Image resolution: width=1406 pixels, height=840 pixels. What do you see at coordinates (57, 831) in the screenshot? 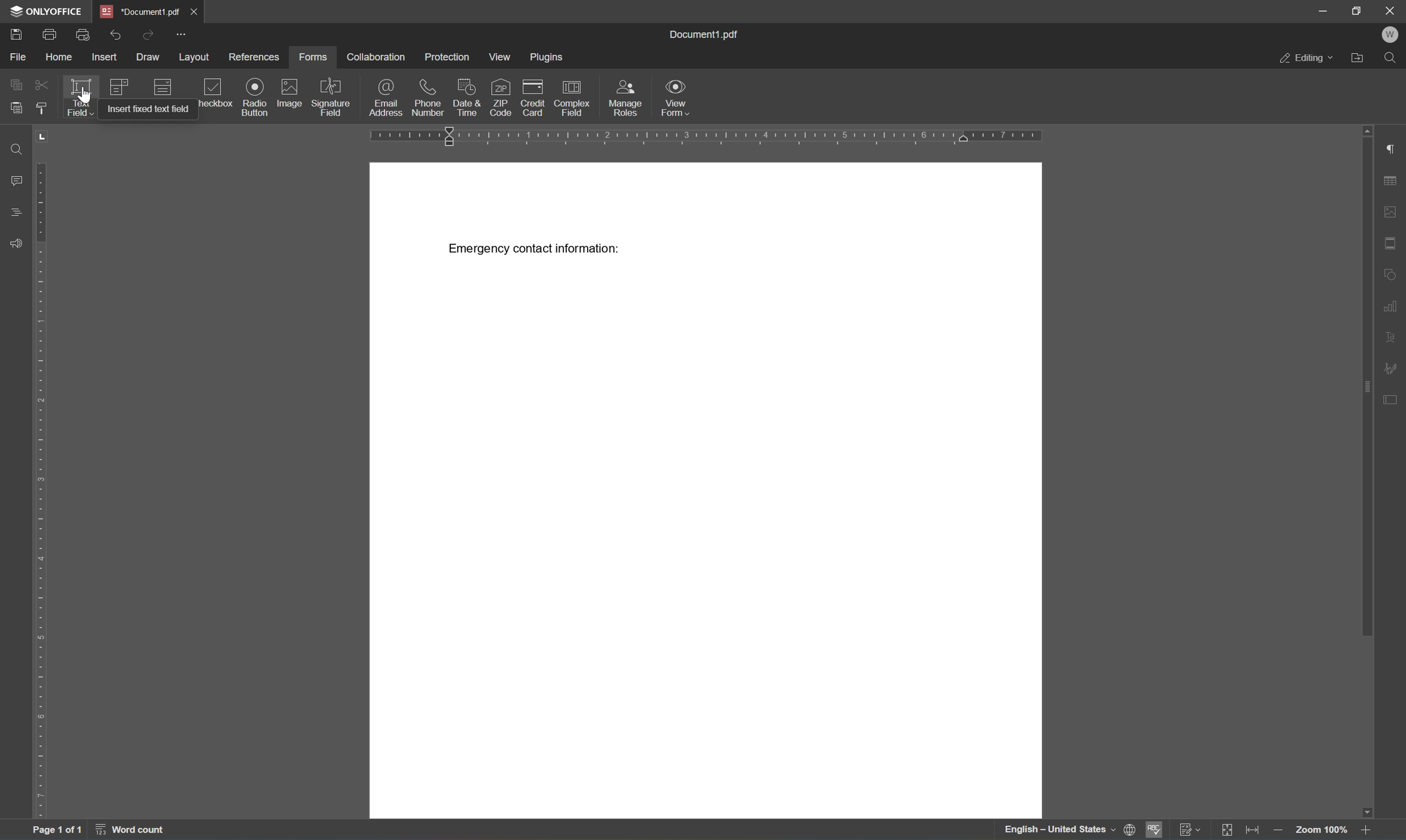
I see `page 1 of 1` at bounding box center [57, 831].